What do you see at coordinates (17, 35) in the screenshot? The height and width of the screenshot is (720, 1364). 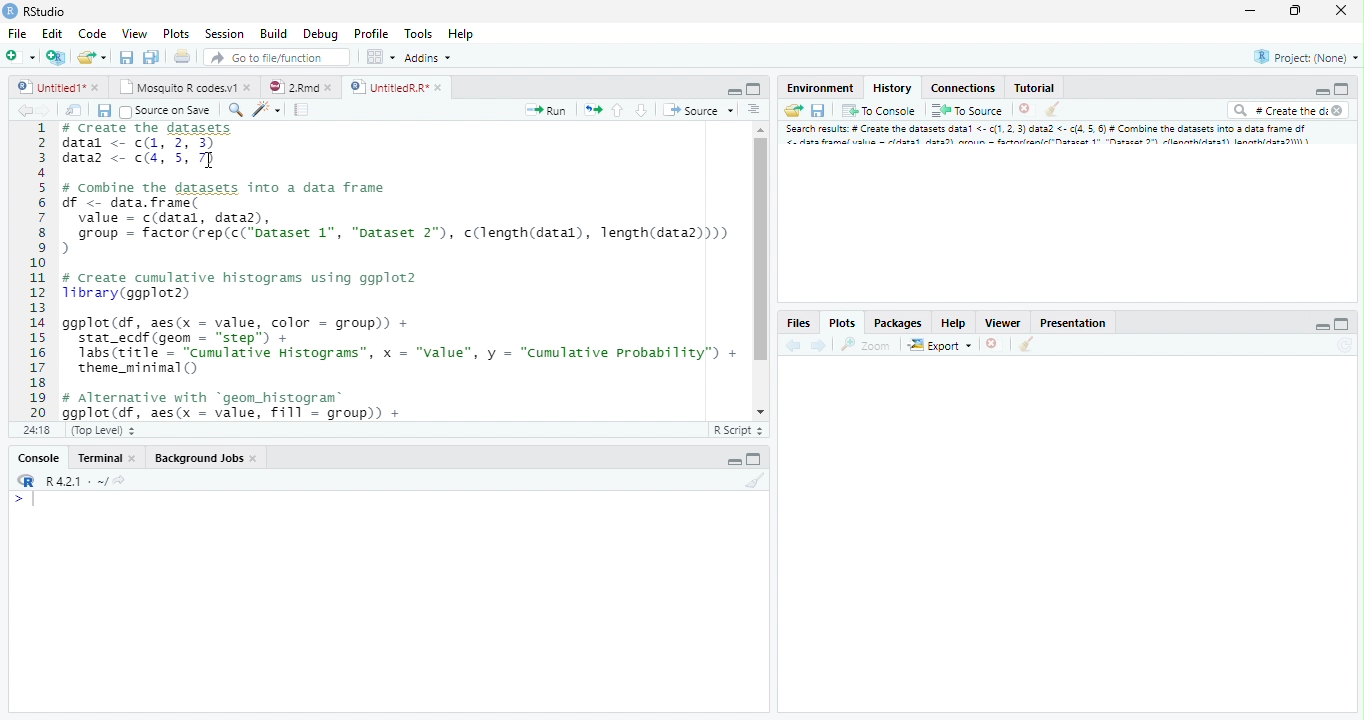 I see `File` at bounding box center [17, 35].